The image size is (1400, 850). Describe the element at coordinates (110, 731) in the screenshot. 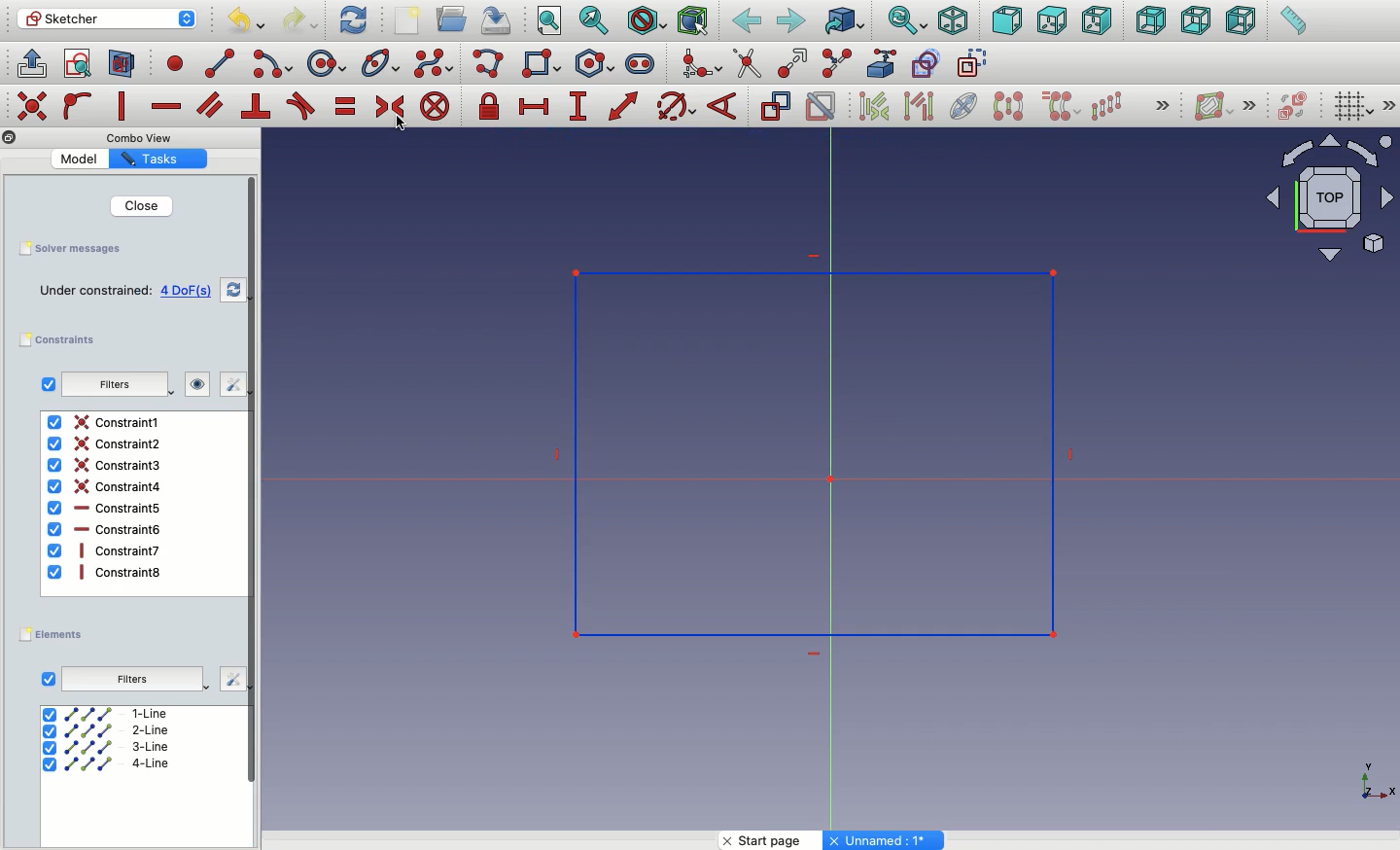

I see `2-line` at that location.